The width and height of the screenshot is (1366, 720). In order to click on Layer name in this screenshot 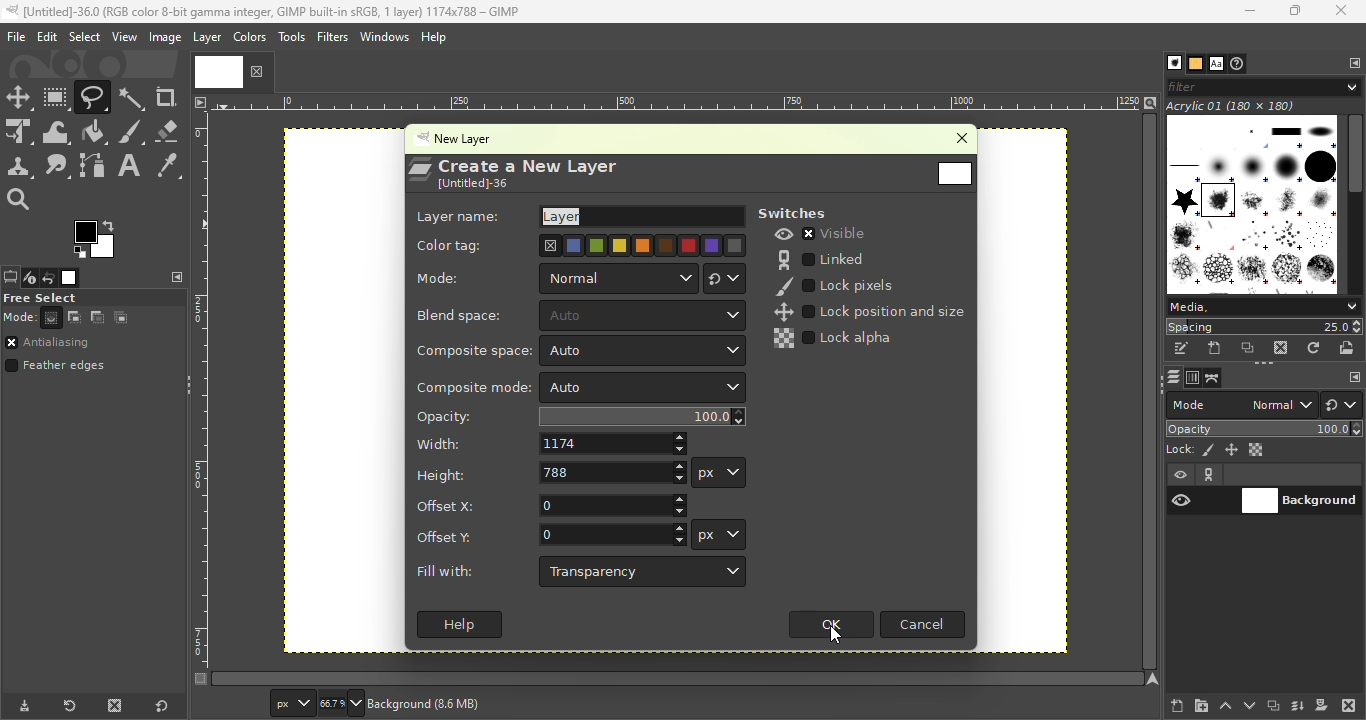, I will do `click(578, 216)`.